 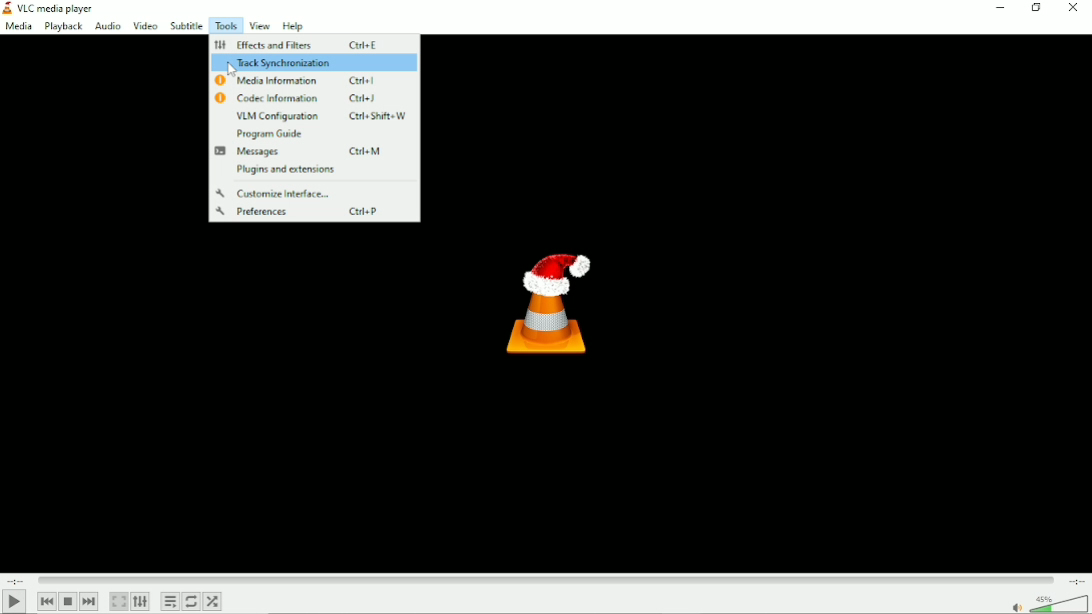 I want to click on Messages, so click(x=301, y=152).